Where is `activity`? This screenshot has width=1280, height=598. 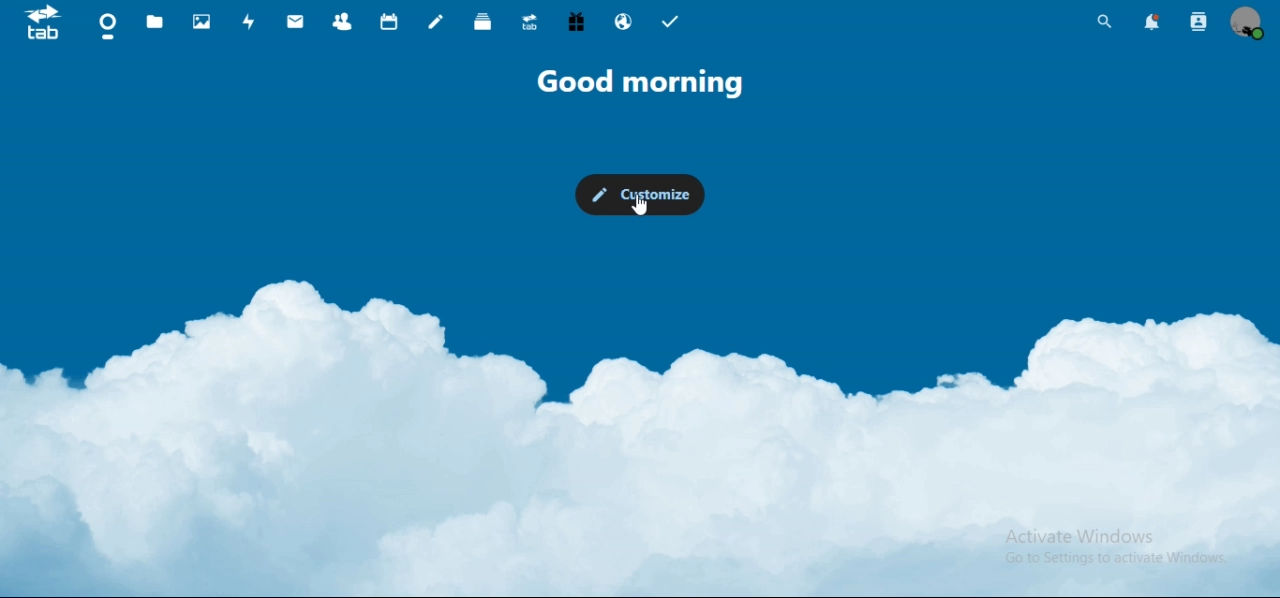
activity is located at coordinates (249, 23).